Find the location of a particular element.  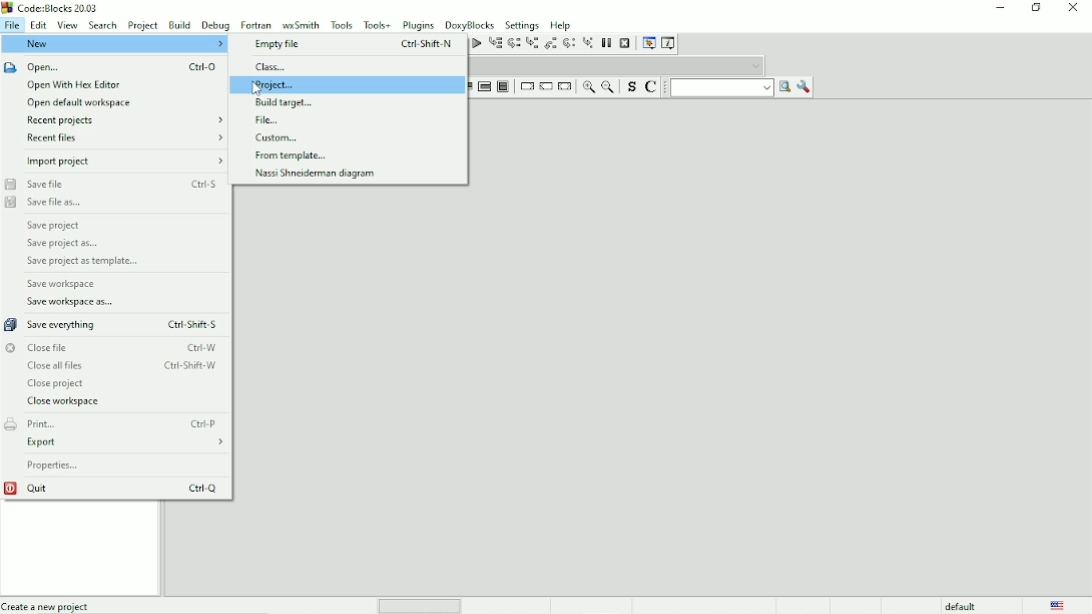

Fortran is located at coordinates (256, 24).